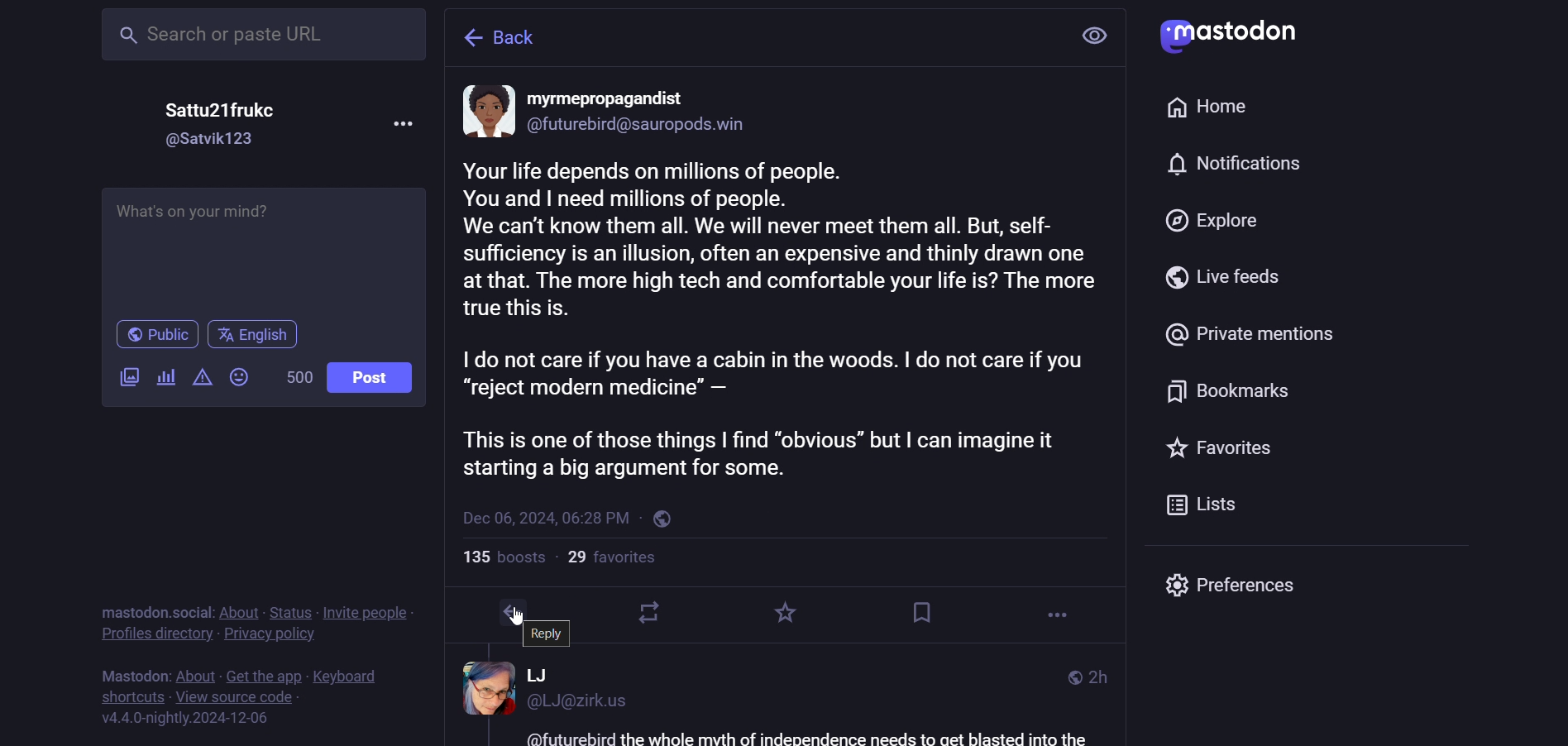 This screenshot has width=1568, height=746. Describe the element at coordinates (259, 35) in the screenshot. I see `search` at that location.